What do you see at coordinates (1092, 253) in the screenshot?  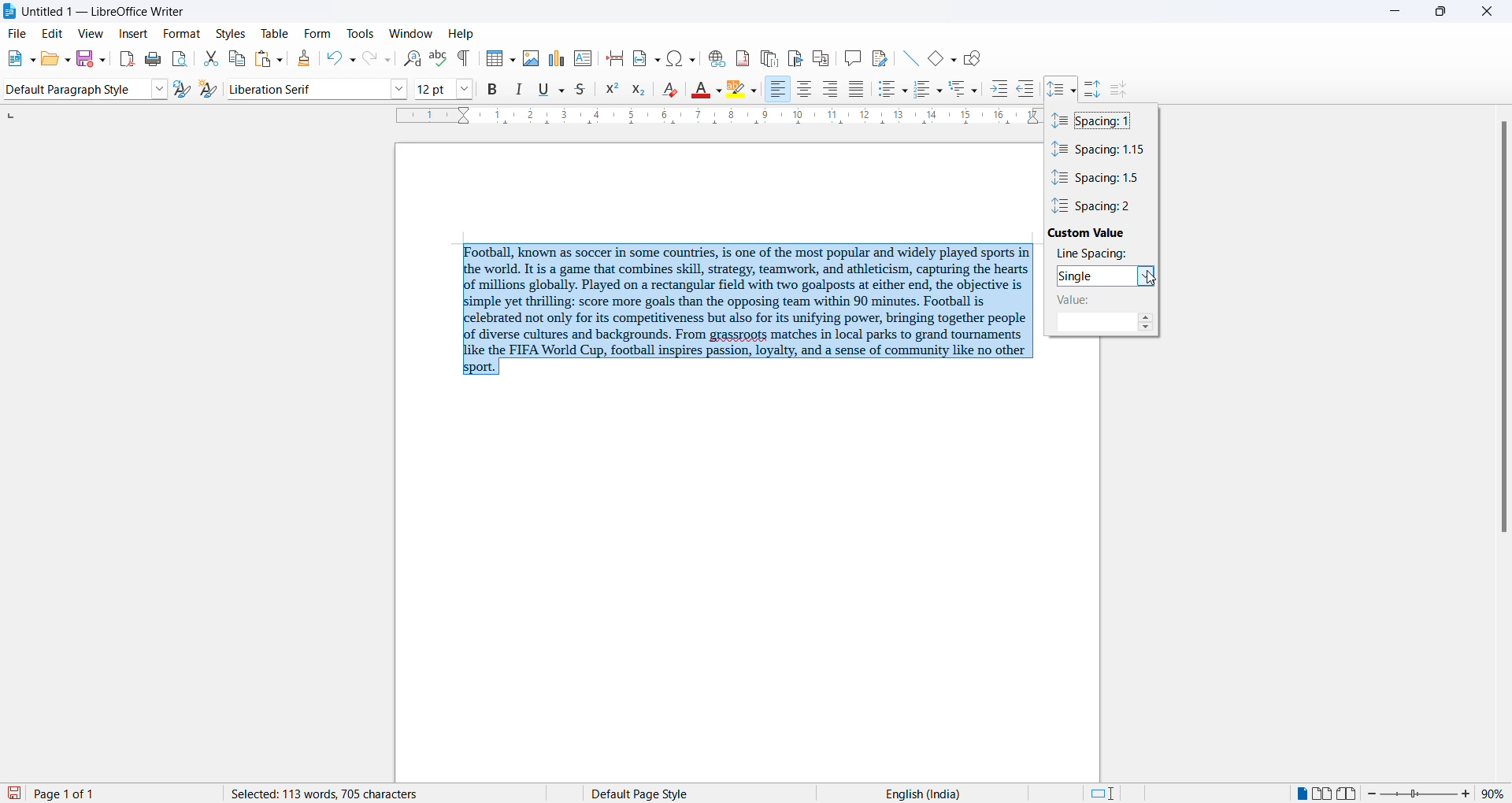 I see `line spacing` at bounding box center [1092, 253].